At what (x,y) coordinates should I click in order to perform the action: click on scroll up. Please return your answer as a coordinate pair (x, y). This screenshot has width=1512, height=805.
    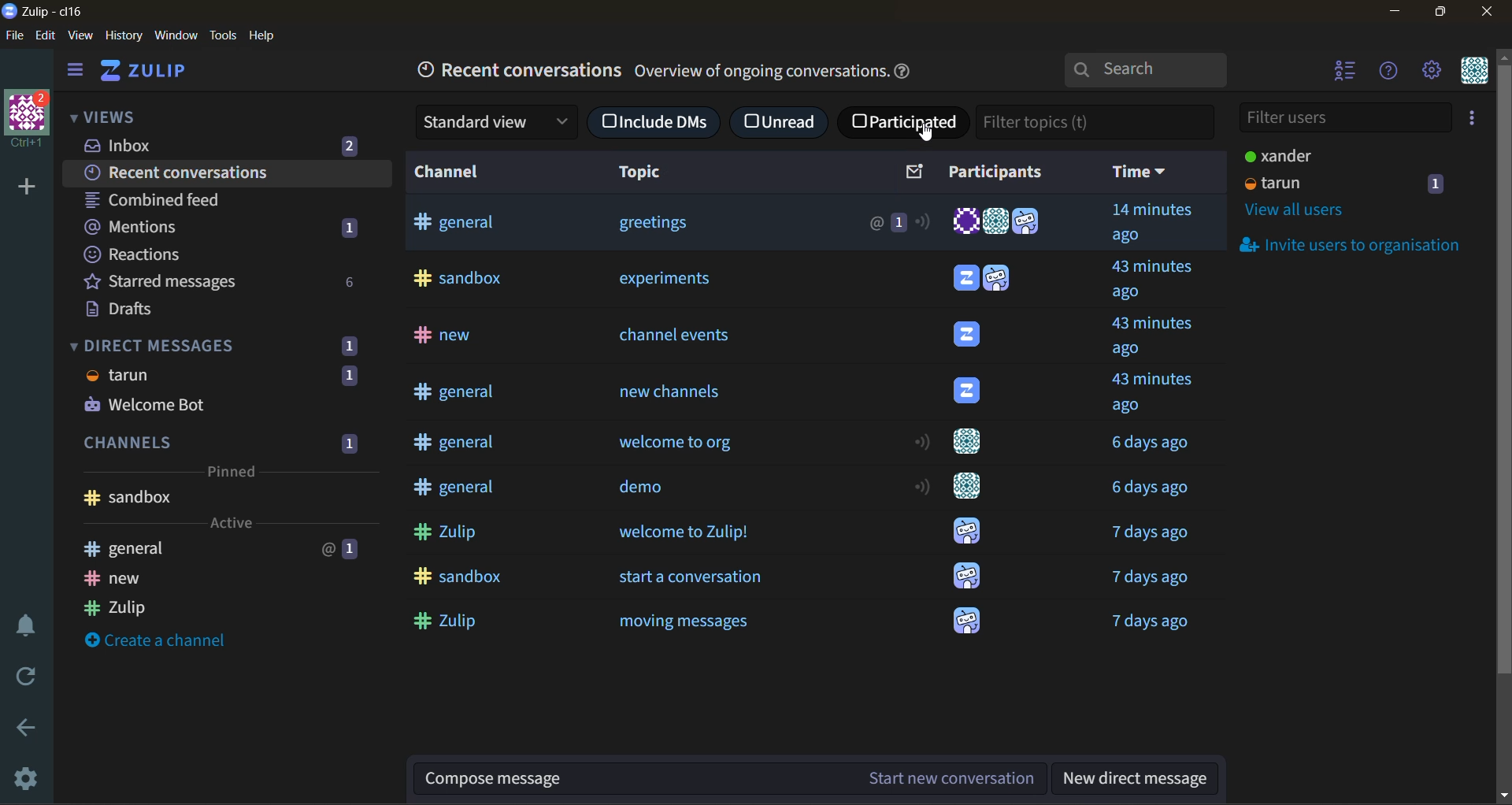
    Looking at the image, I should click on (1503, 57).